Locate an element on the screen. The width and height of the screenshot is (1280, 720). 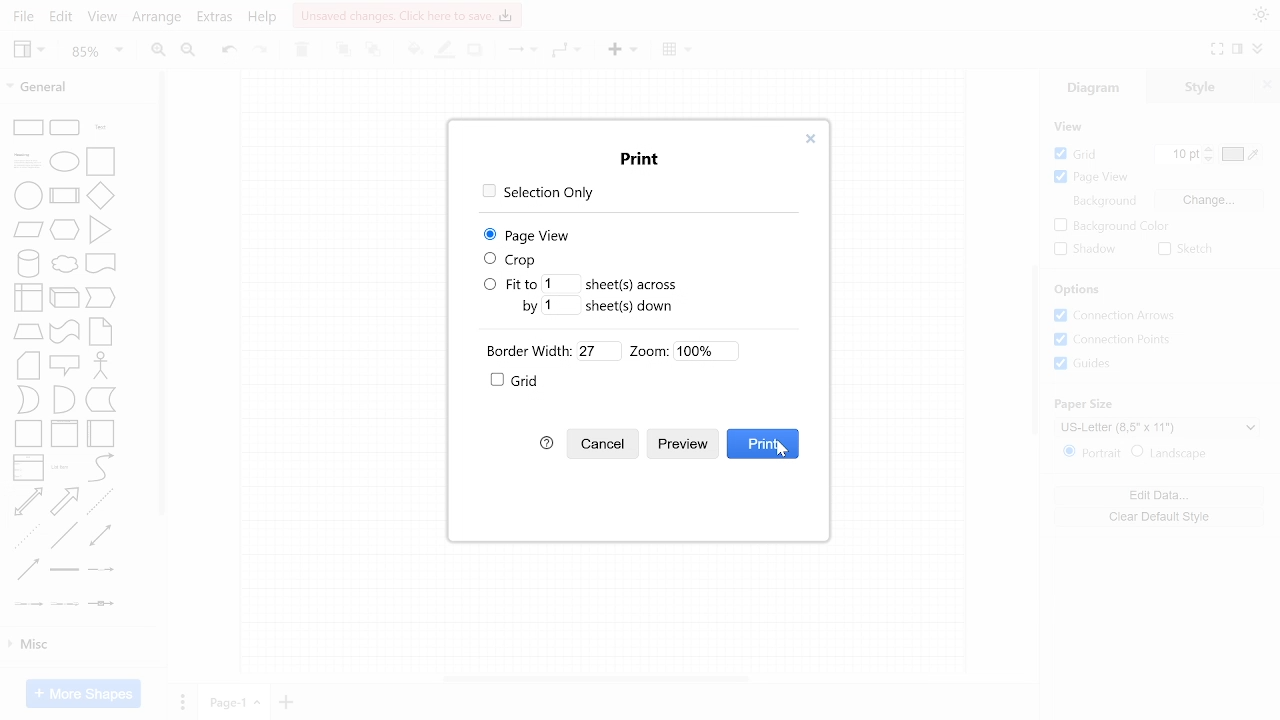
Zoom: is located at coordinates (649, 351).